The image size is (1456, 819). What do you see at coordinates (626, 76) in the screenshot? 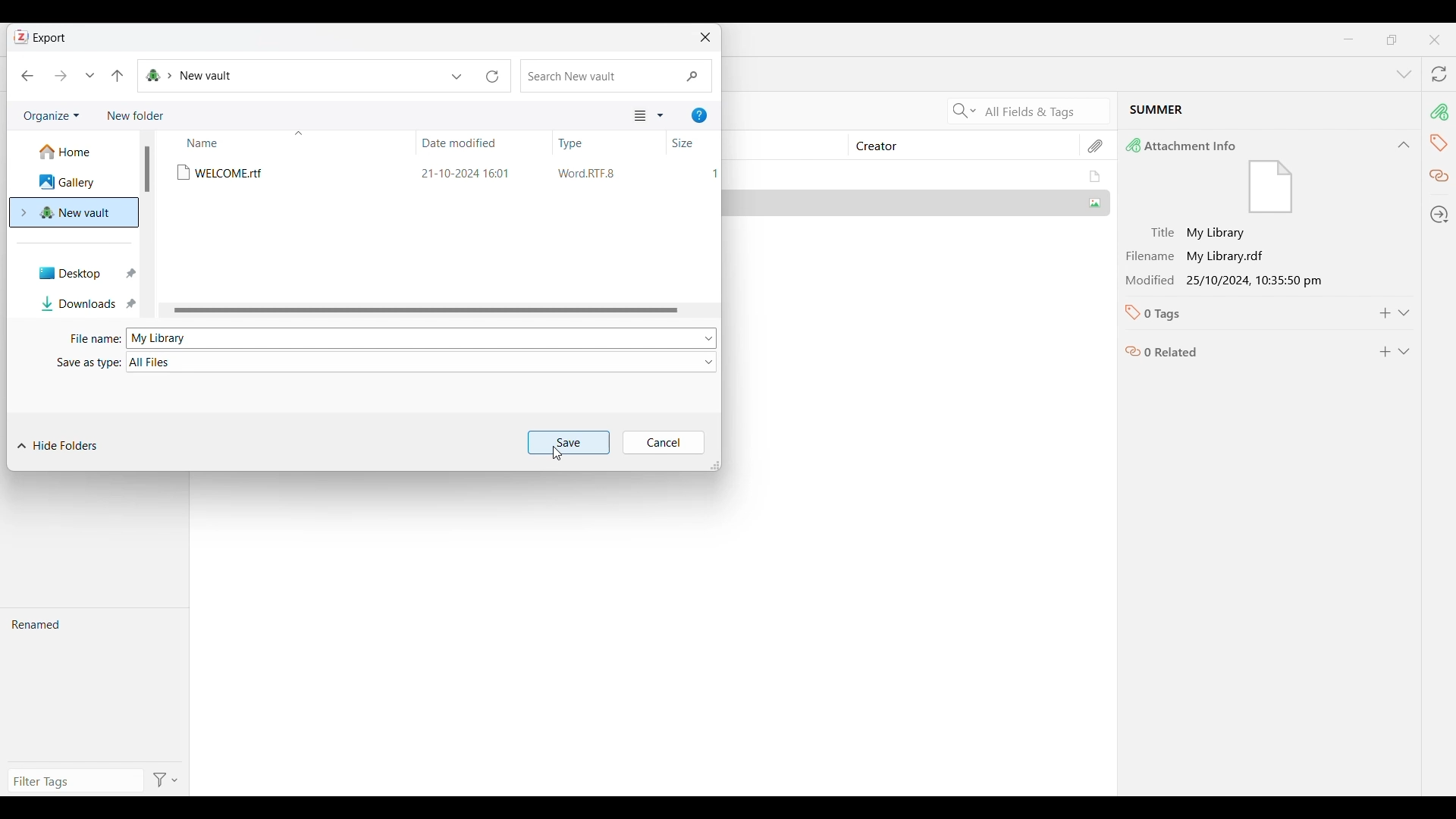
I see `search new vault` at bounding box center [626, 76].